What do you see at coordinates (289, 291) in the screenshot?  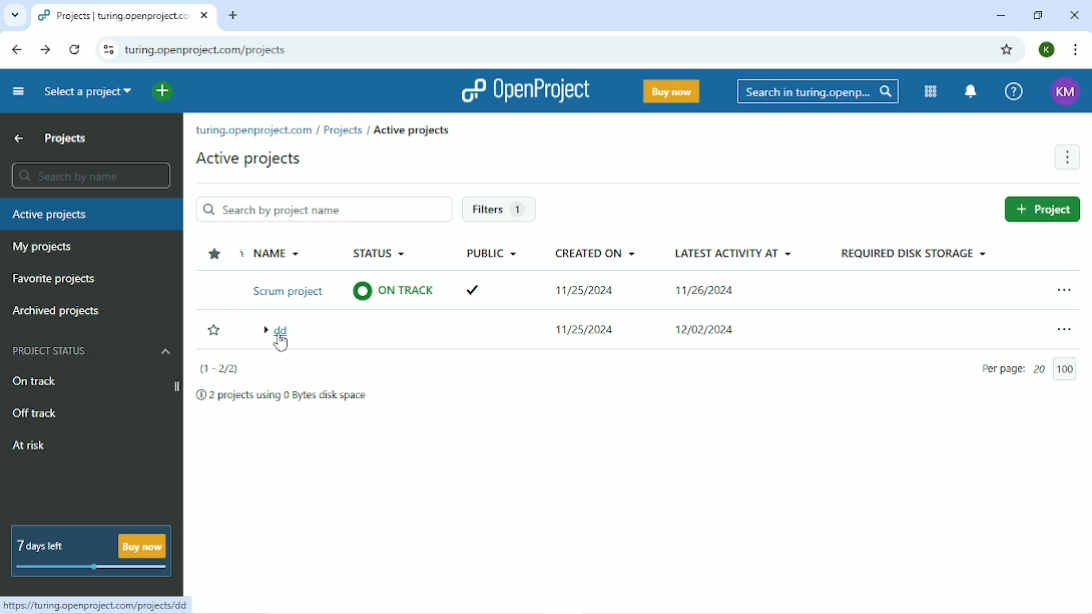 I see `Scrum project` at bounding box center [289, 291].